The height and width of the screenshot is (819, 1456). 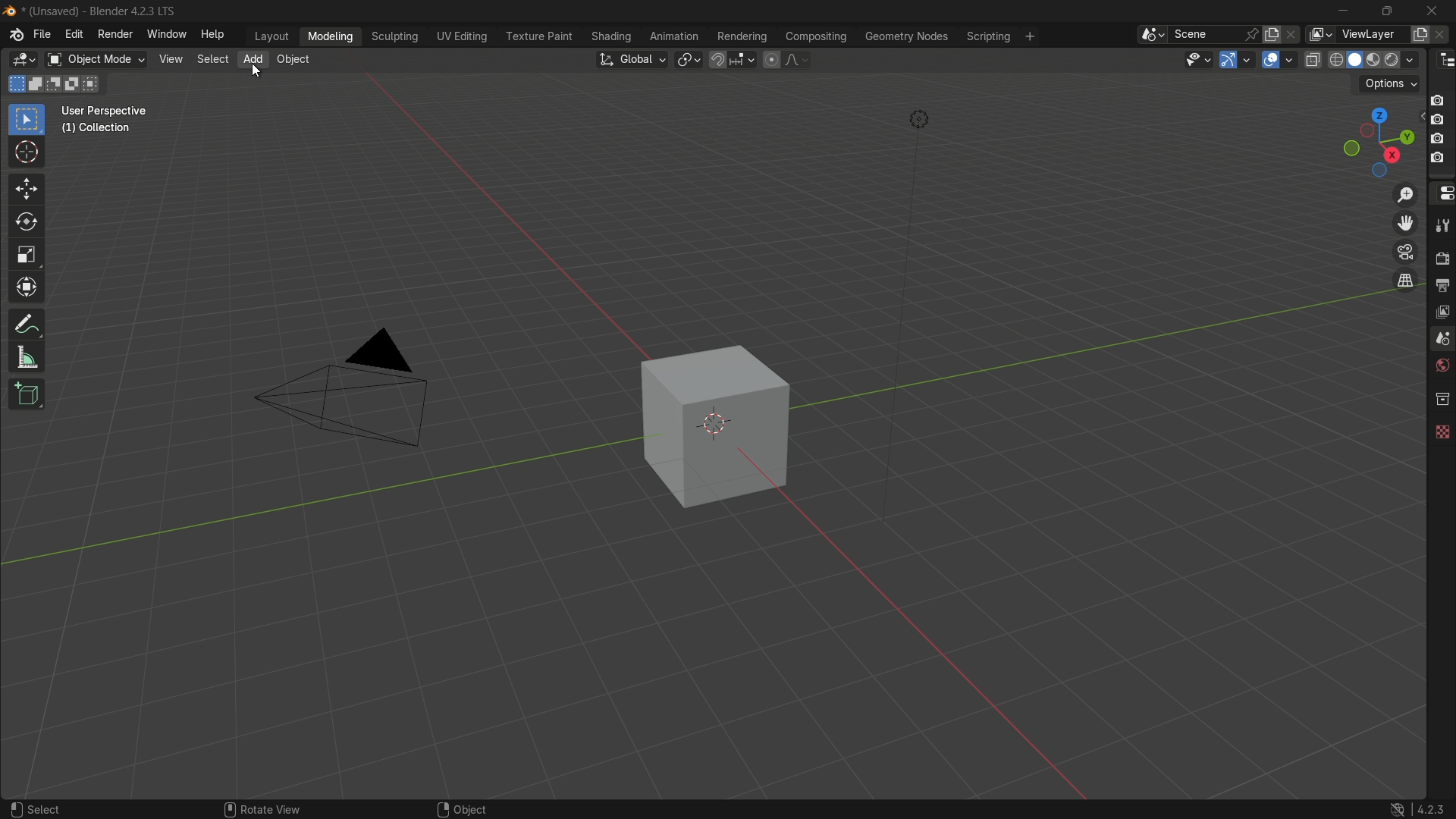 I want to click on camera, so click(x=1438, y=130).